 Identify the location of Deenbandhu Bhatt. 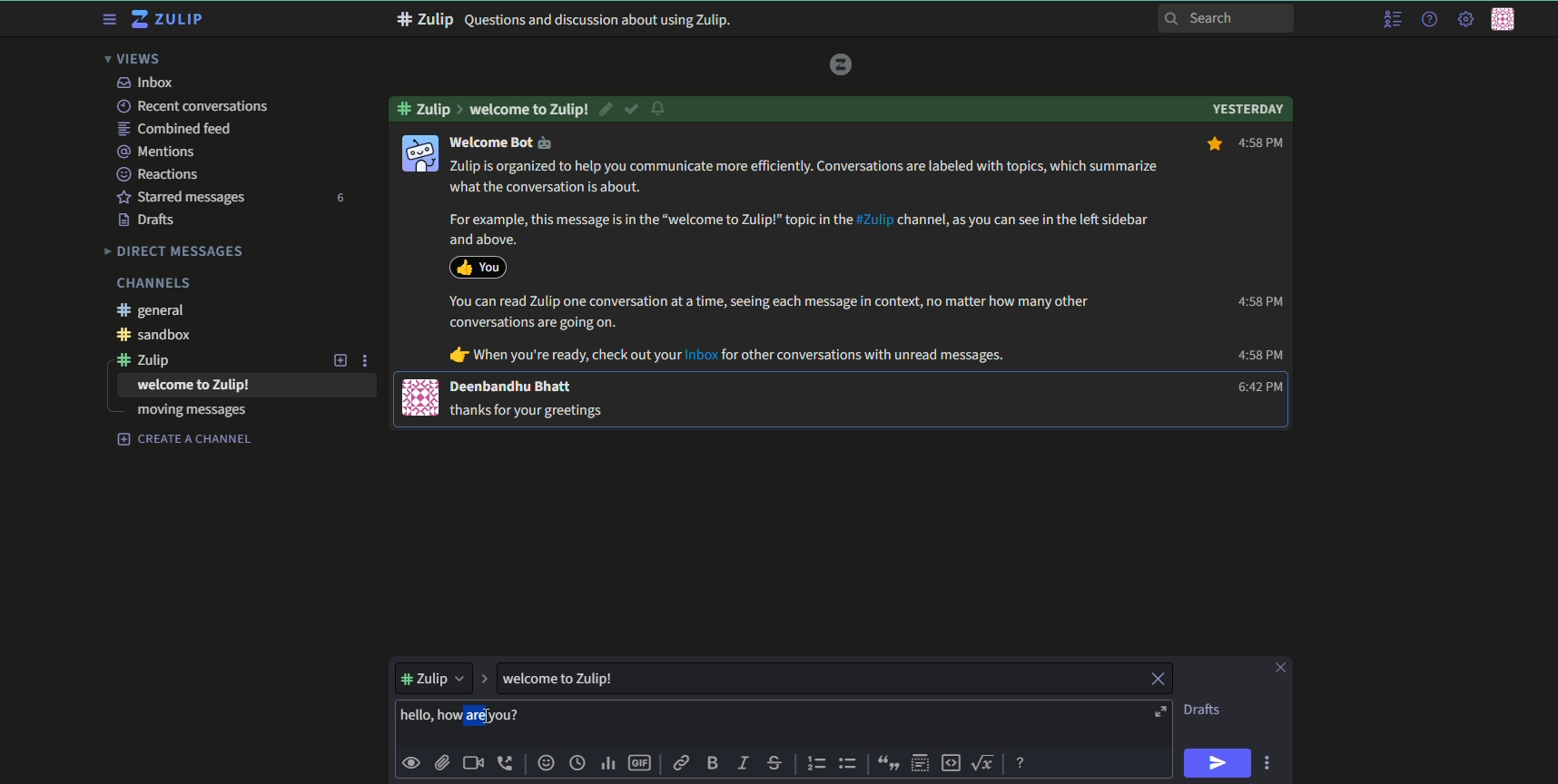
(513, 387).